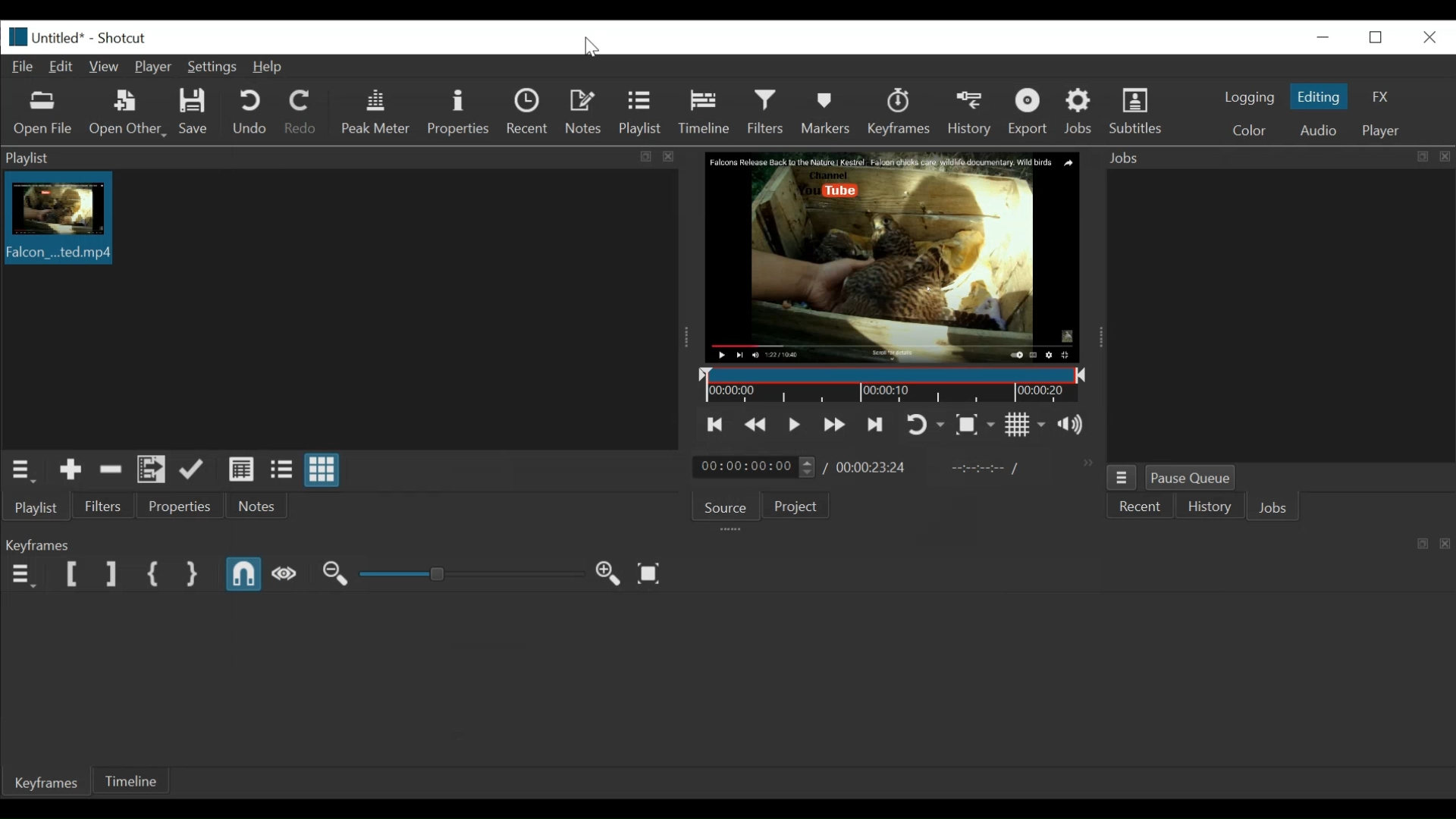 The height and width of the screenshot is (819, 1456). I want to click on Jobs menu, so click(1123, 478).